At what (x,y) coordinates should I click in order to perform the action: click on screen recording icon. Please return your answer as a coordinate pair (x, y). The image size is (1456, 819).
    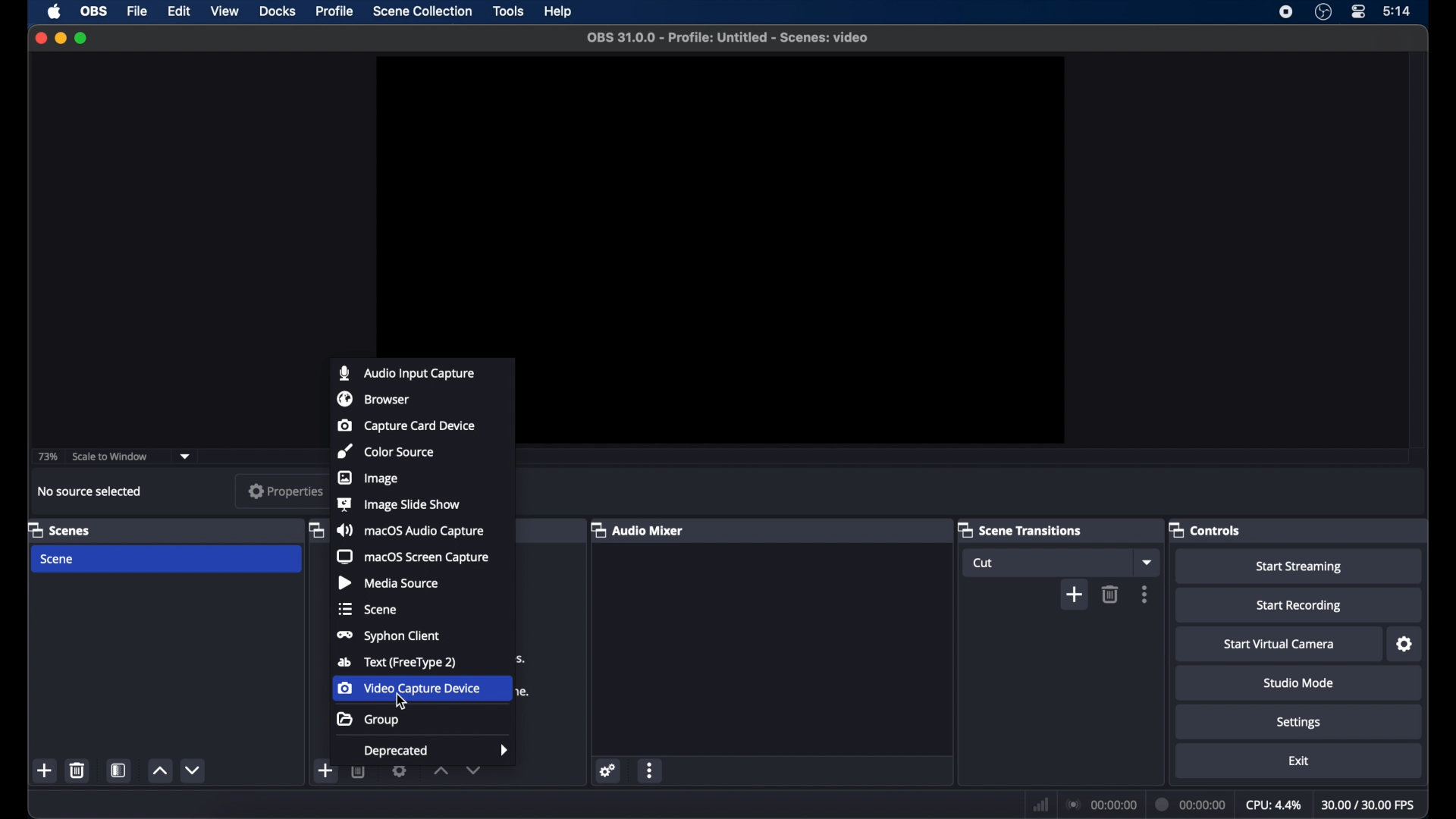
    Looking at the image, I should click on (1286, 12).